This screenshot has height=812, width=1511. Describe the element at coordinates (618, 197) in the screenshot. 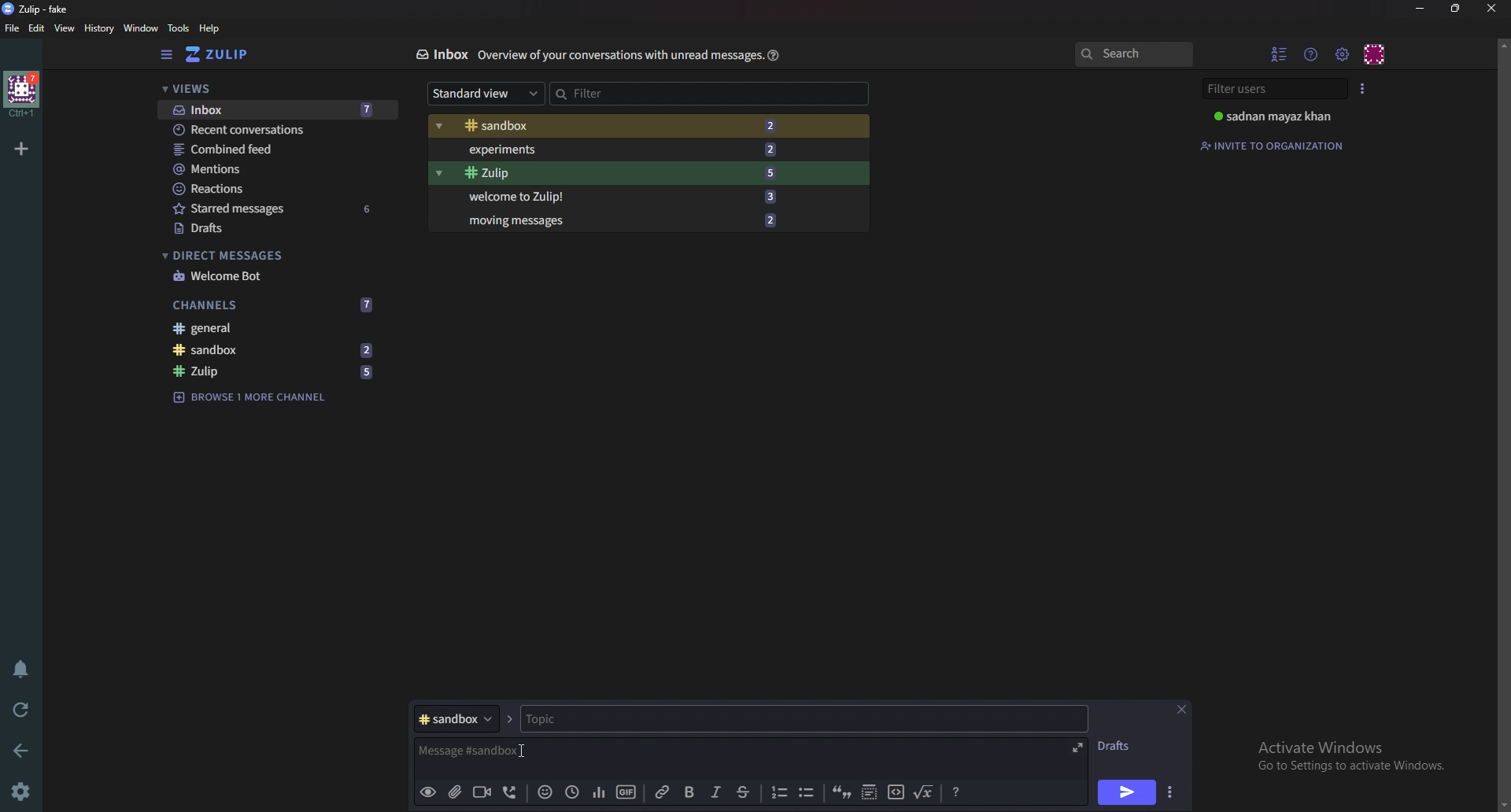

I see `Welcome to Zulip` at that location.